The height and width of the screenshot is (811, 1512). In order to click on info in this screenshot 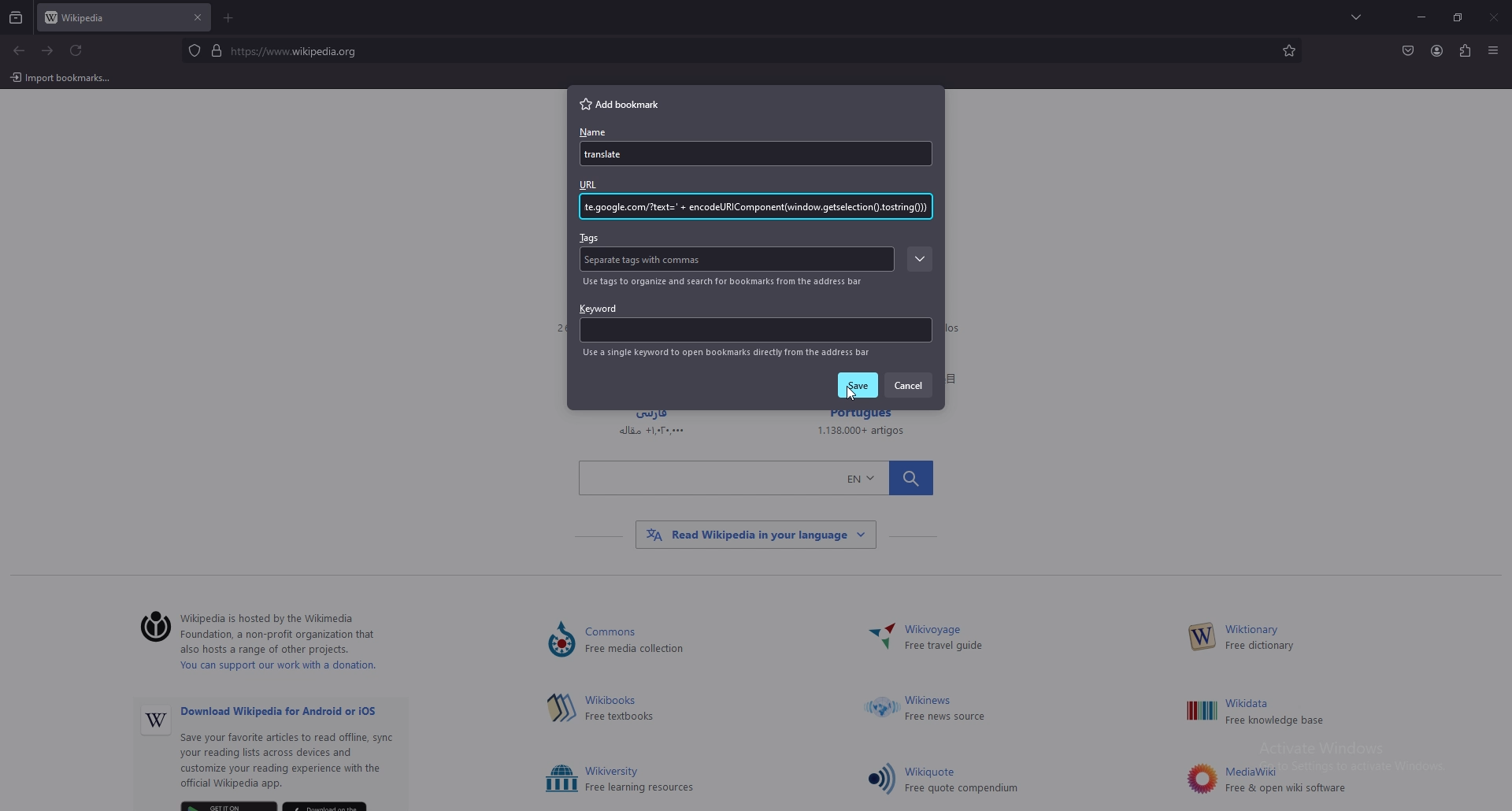, I will do `click(726, 282)`.